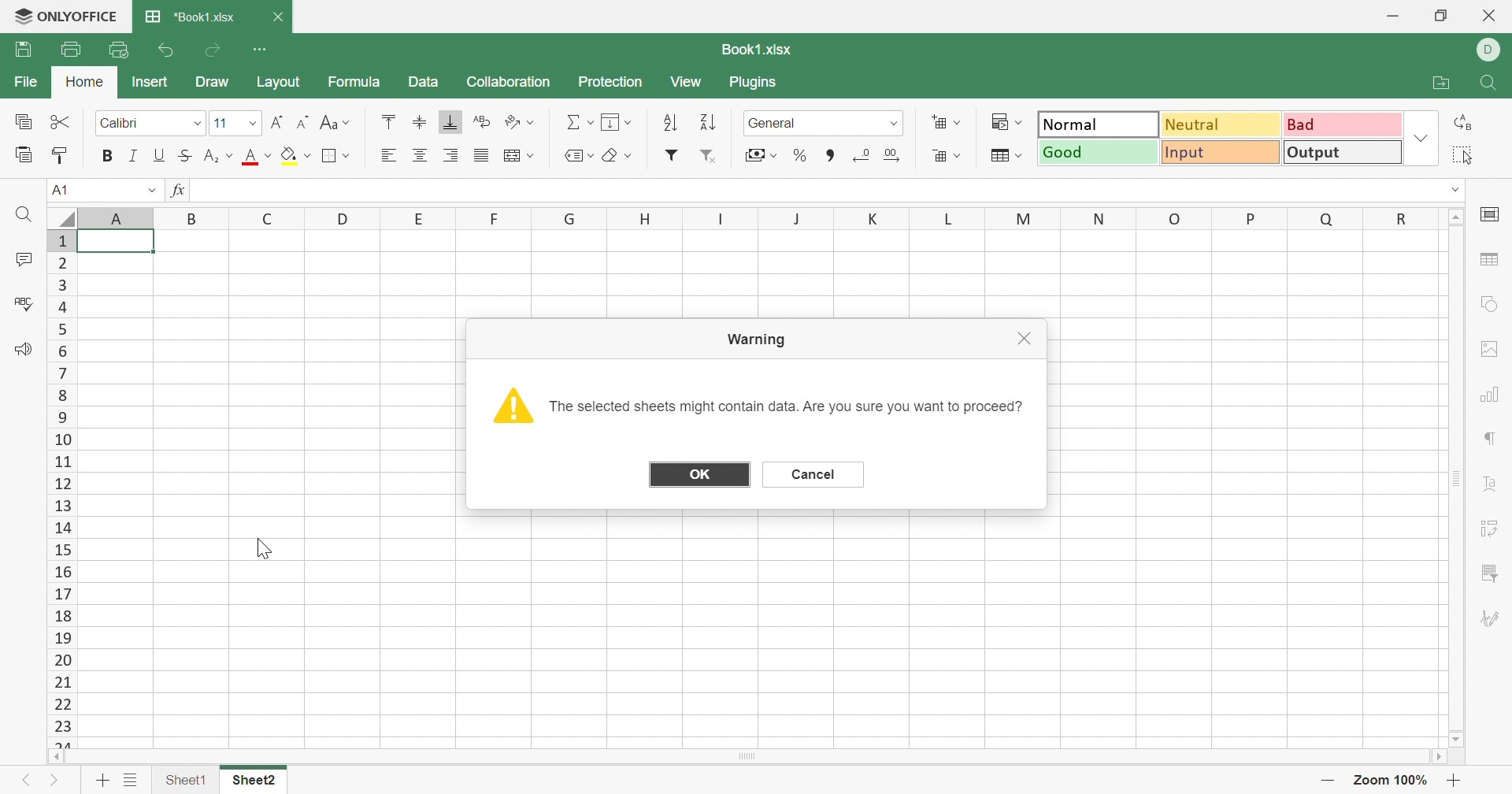 The image size is (1512, 794). What do you see at coordinates (1491, 479) in the screenshot?
I see `Text Art settings` at bounding box center [1491, 479].